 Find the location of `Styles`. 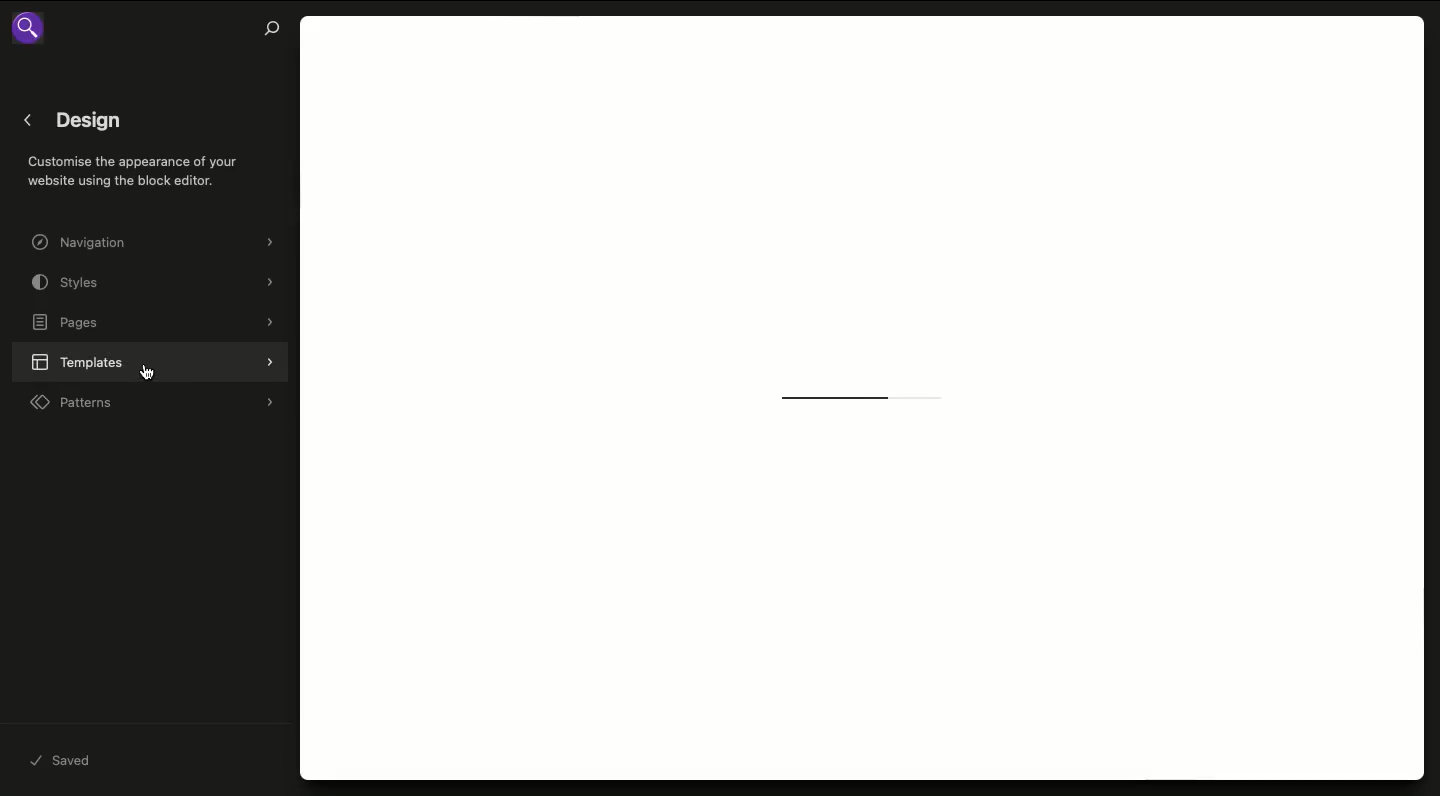

Styles is located at coordinates (157, 284).